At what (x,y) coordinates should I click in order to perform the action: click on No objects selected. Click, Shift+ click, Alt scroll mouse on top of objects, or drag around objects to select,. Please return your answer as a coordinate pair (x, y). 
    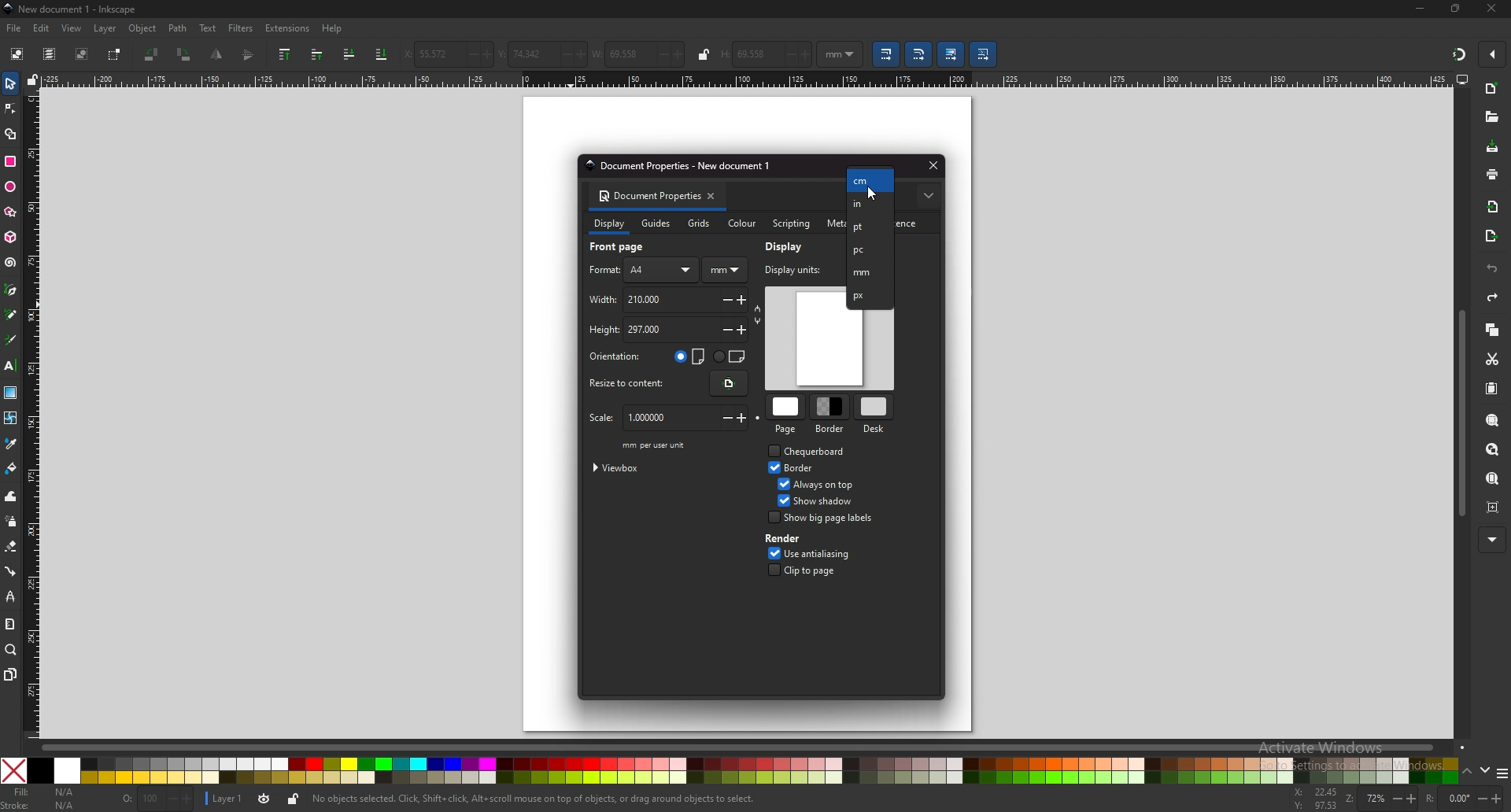
    Looking at the image, I should click on (549, 799).